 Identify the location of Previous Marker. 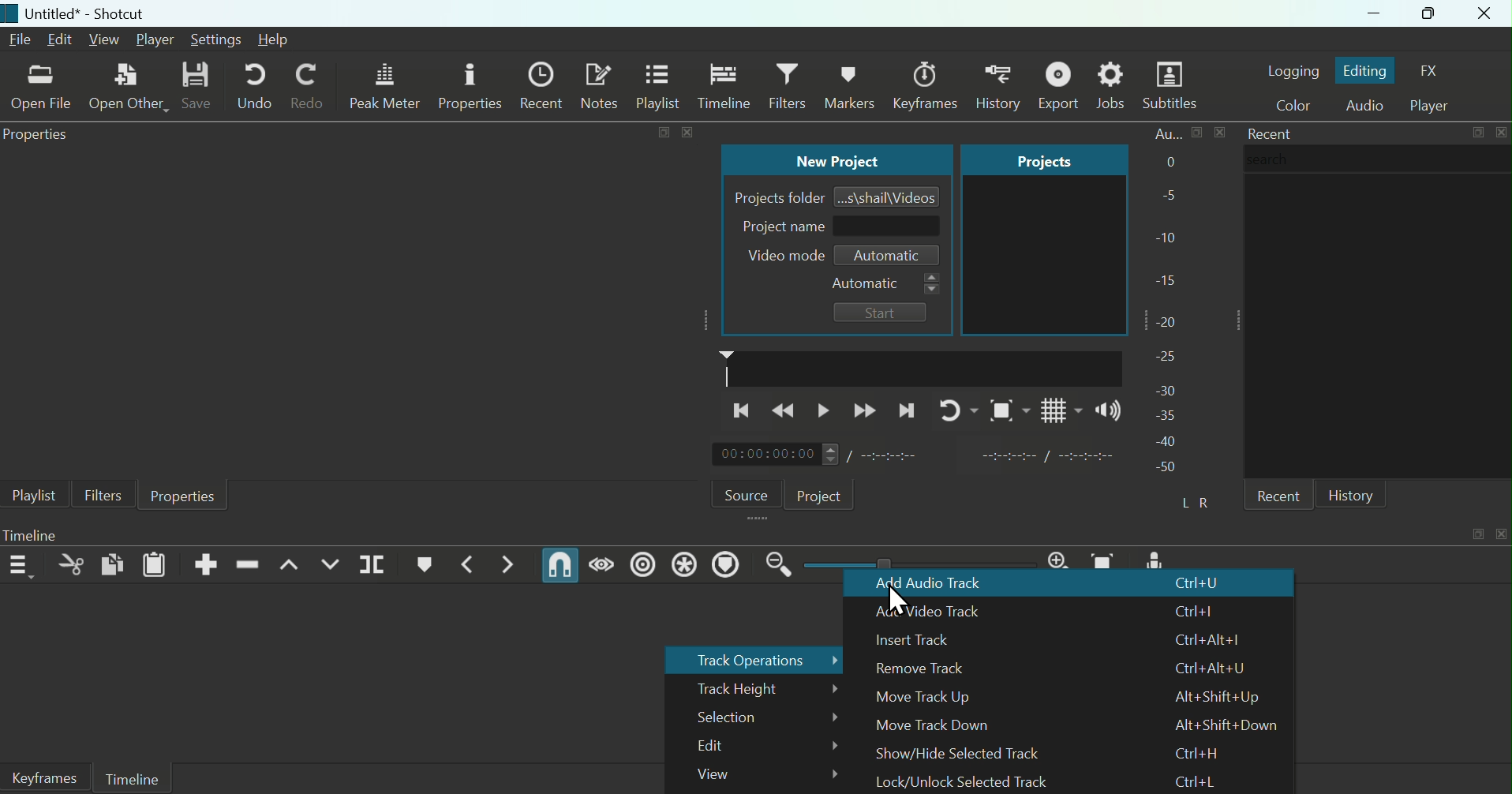
(472, 564).